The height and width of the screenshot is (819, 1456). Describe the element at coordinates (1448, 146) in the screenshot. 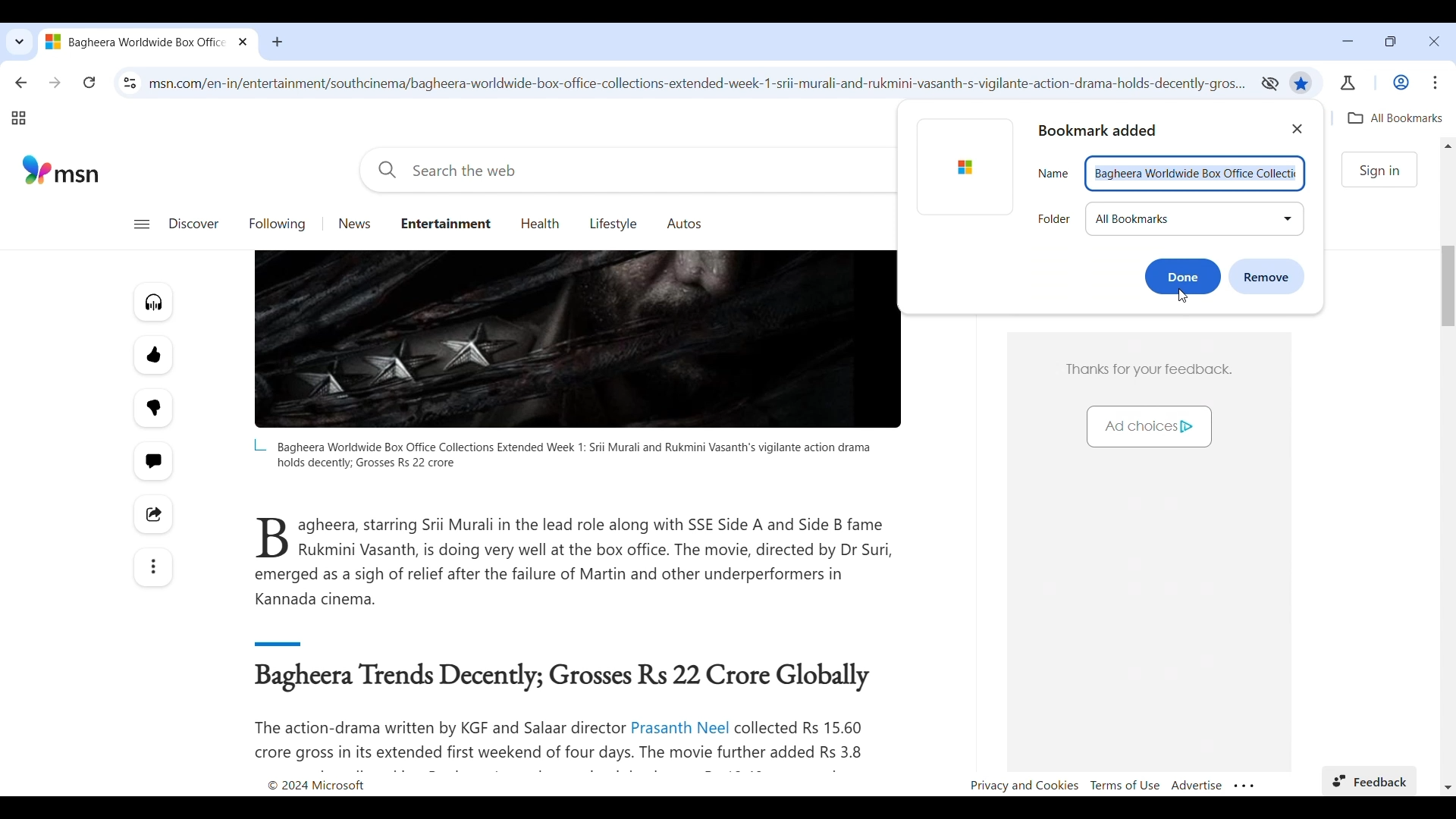

I see `Quick slide to top` at that location.